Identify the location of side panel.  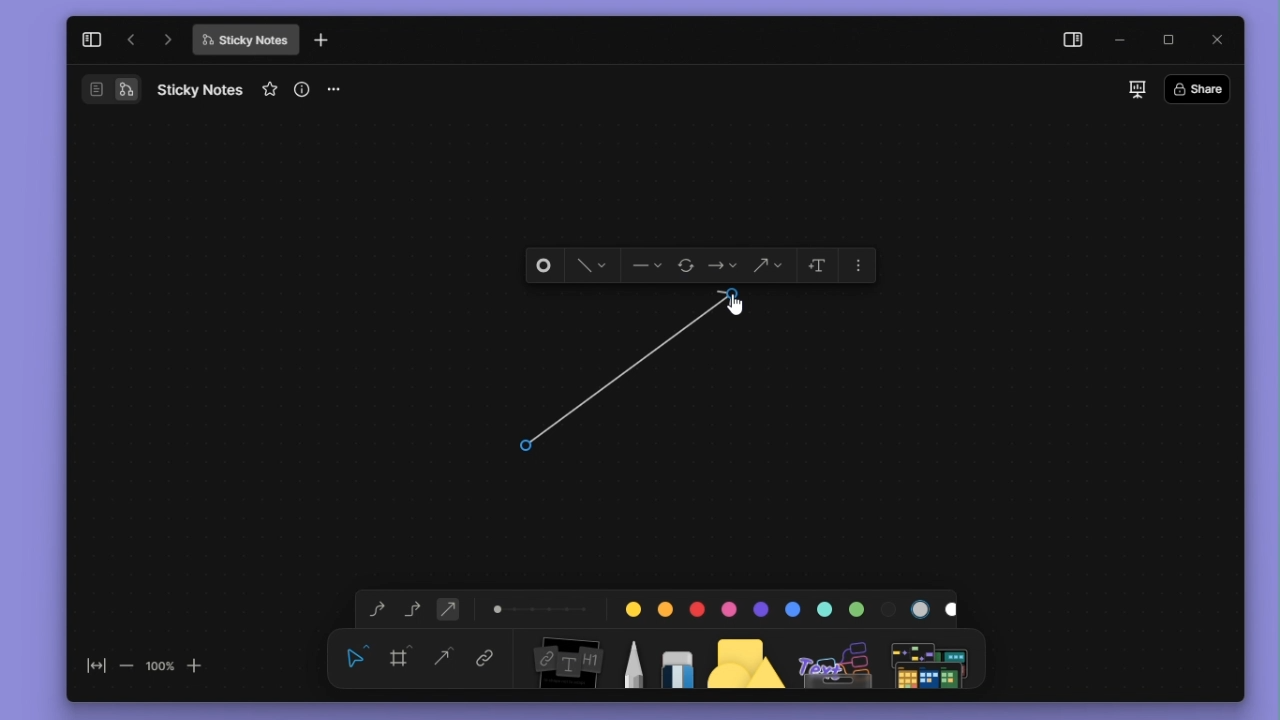
(1069, 42).